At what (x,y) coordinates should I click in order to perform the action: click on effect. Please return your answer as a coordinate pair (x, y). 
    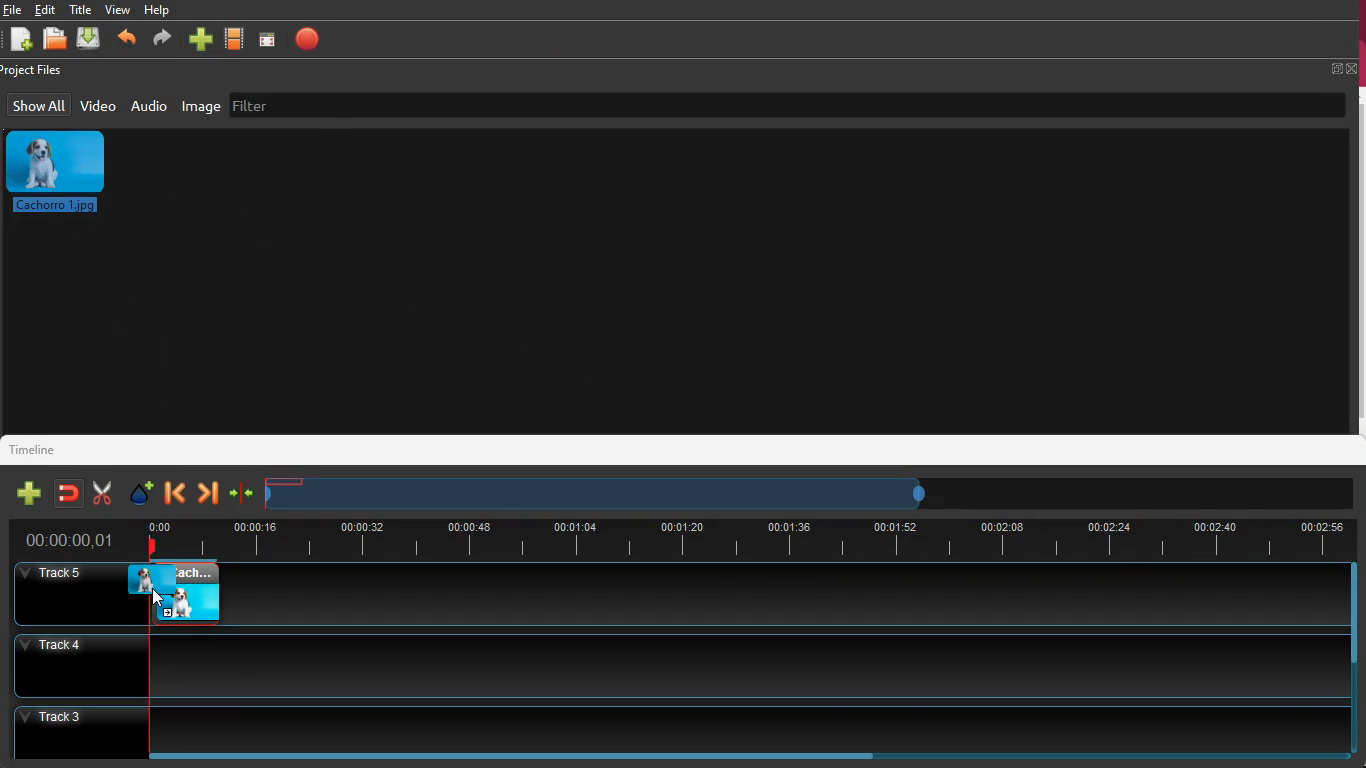
    Looking at the image, I should click on (143, 494).